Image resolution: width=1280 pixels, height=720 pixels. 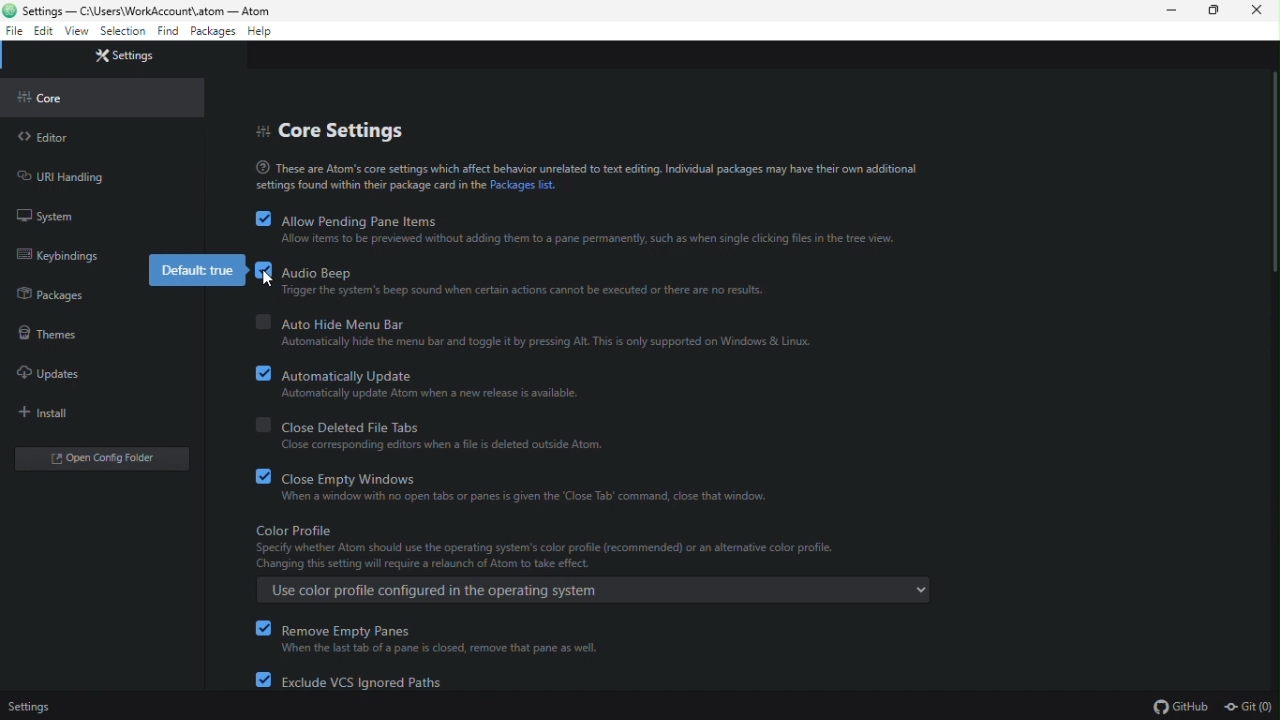 I want to click on core, so click(x=45, y=96).